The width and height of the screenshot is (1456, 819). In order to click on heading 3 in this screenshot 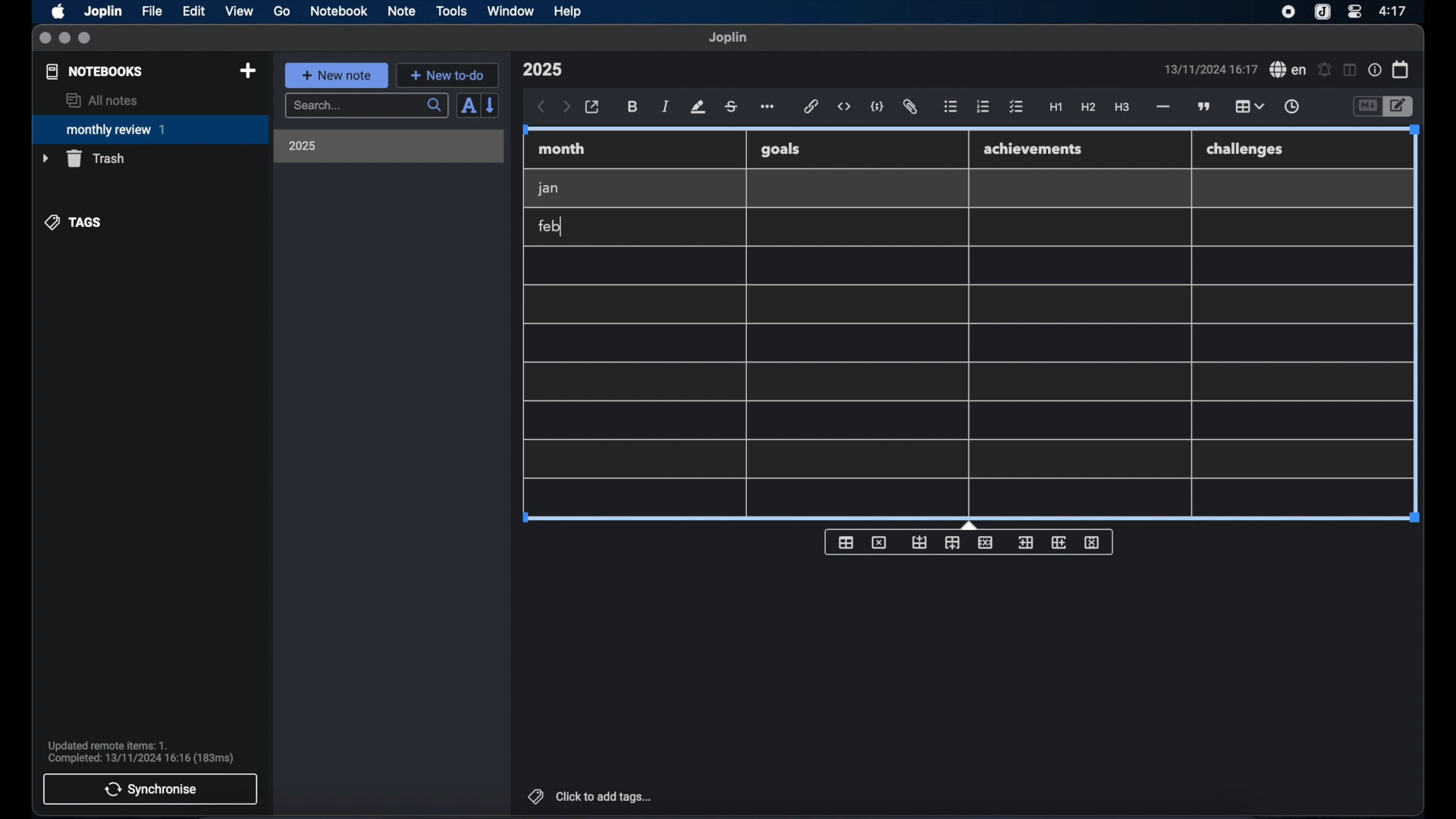, I will do `click(1122, 108)`.